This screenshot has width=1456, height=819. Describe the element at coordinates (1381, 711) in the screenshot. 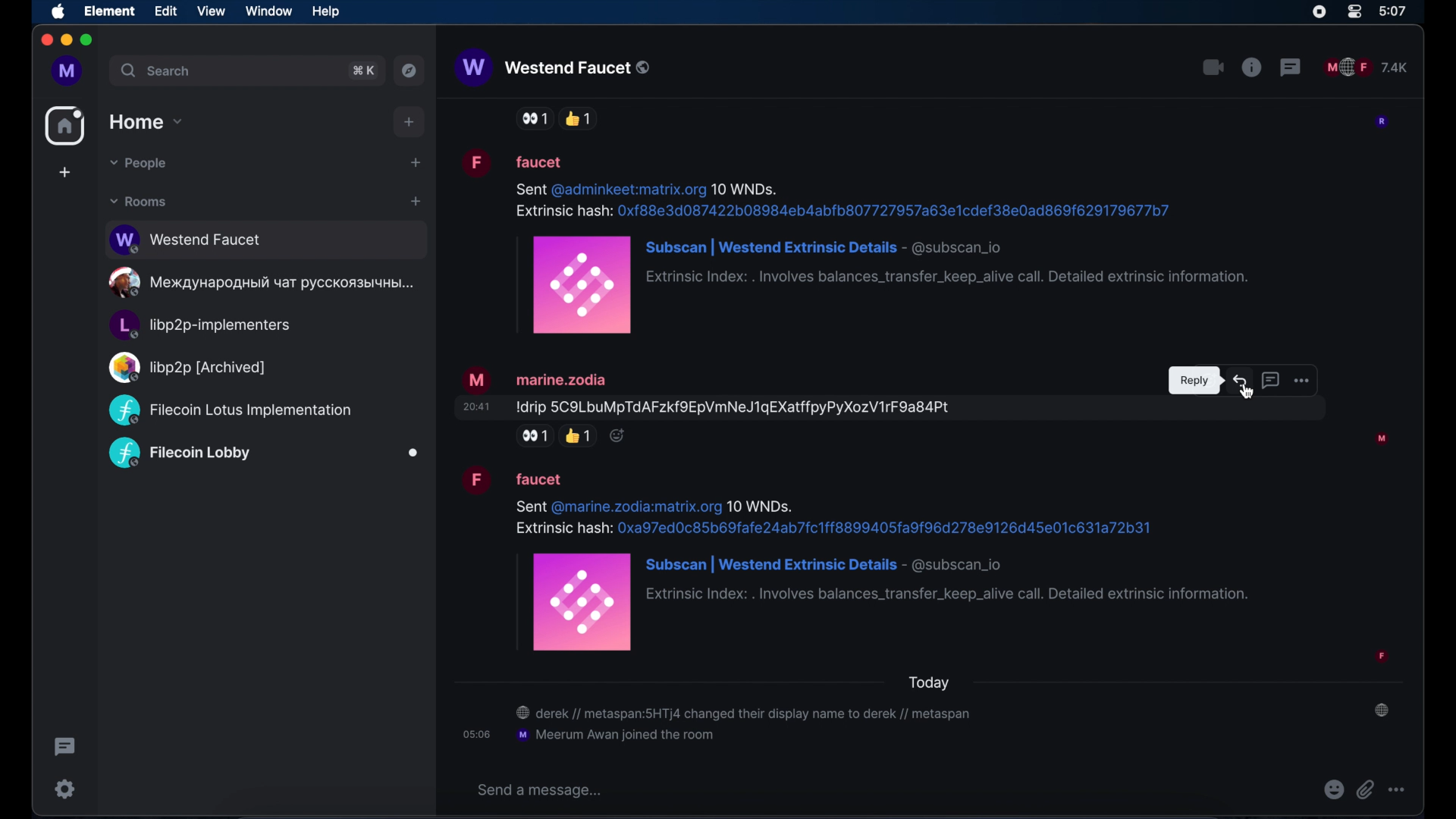

I see `public room notification` at that location.